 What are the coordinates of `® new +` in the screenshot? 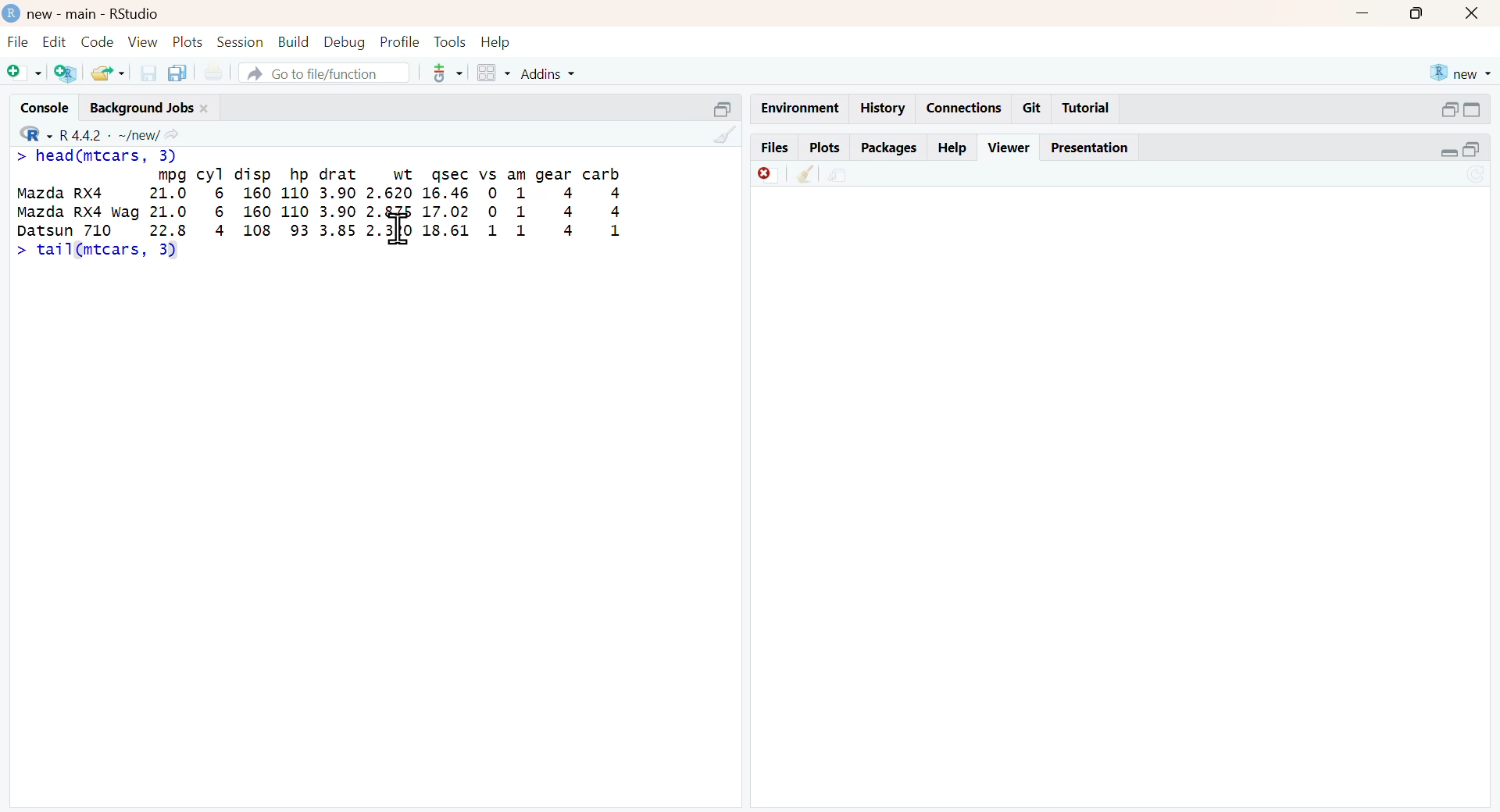 It's located at (1463, 72).